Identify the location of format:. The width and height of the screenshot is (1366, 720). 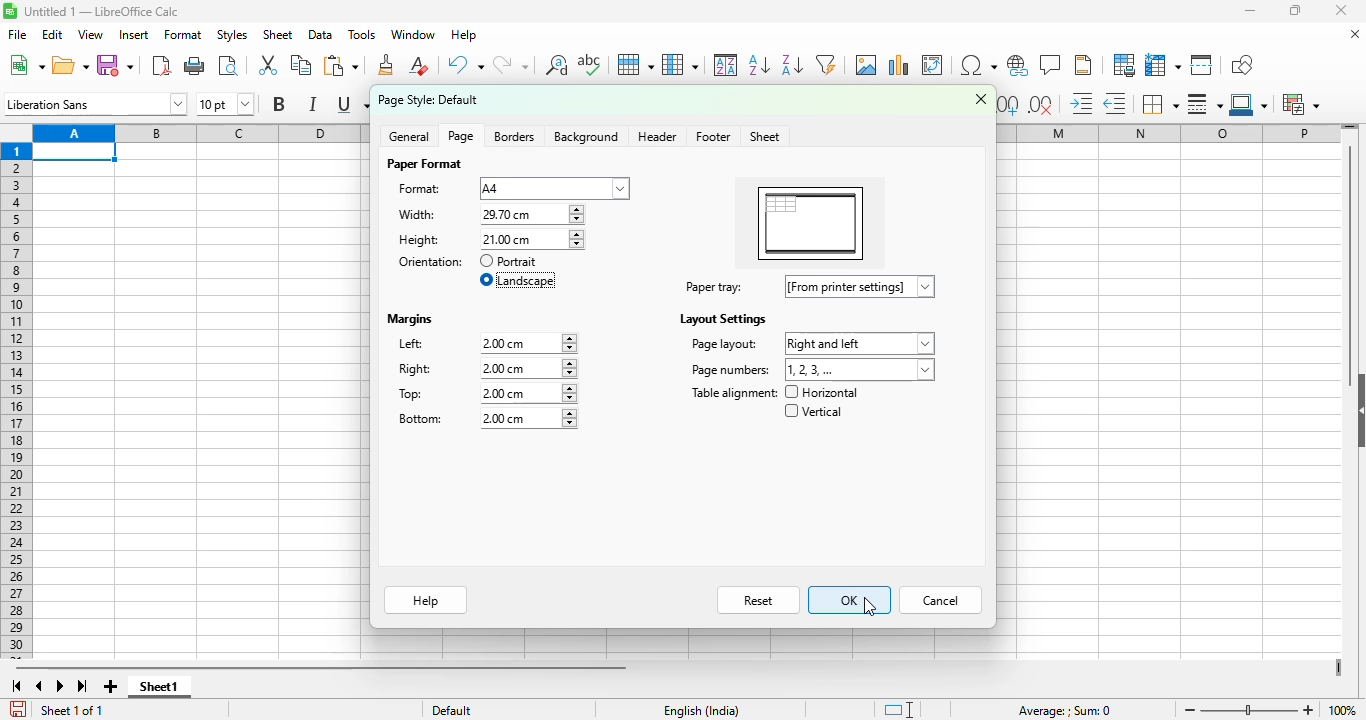
(420, 189).